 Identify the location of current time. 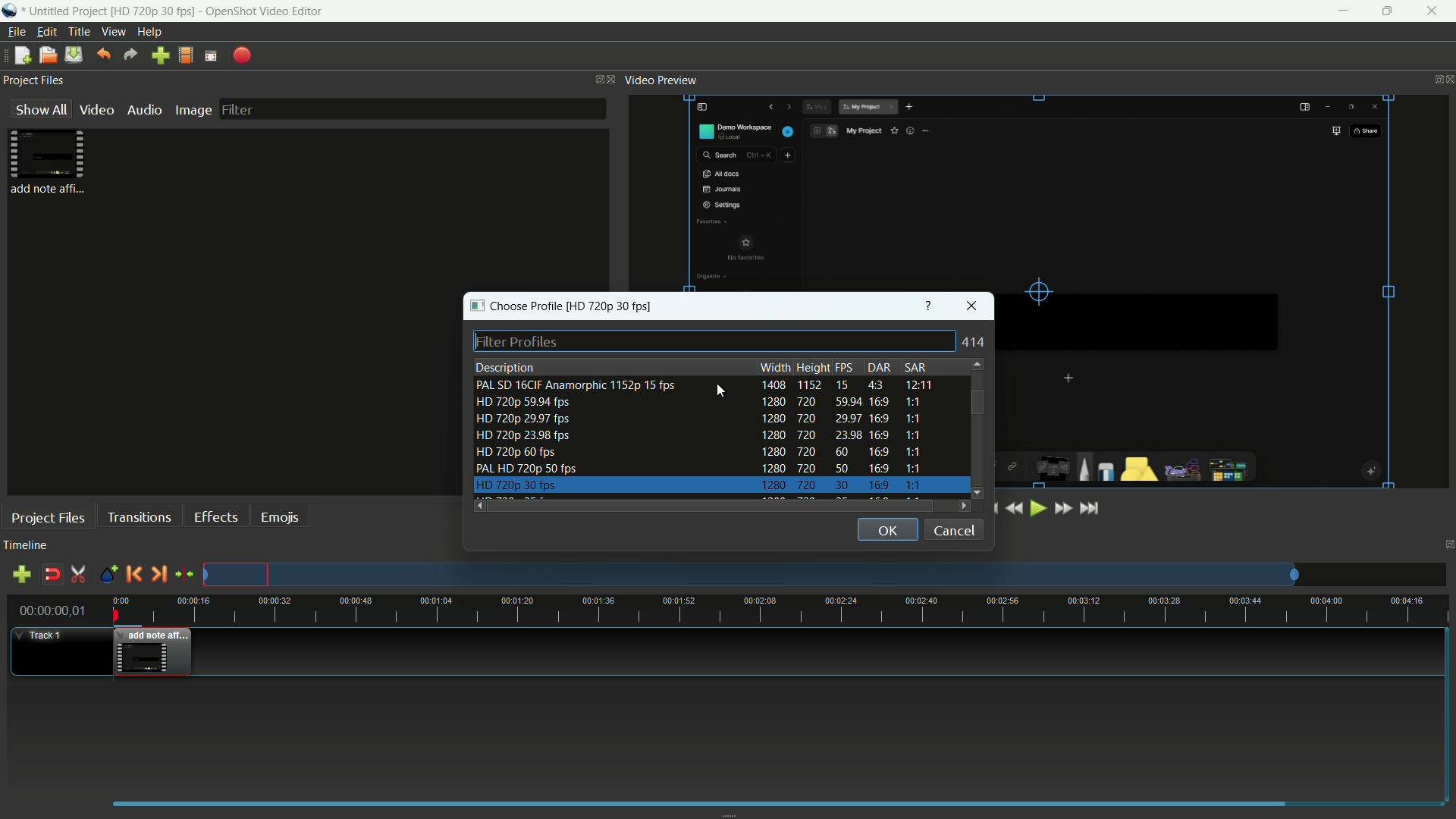
(49, 610).